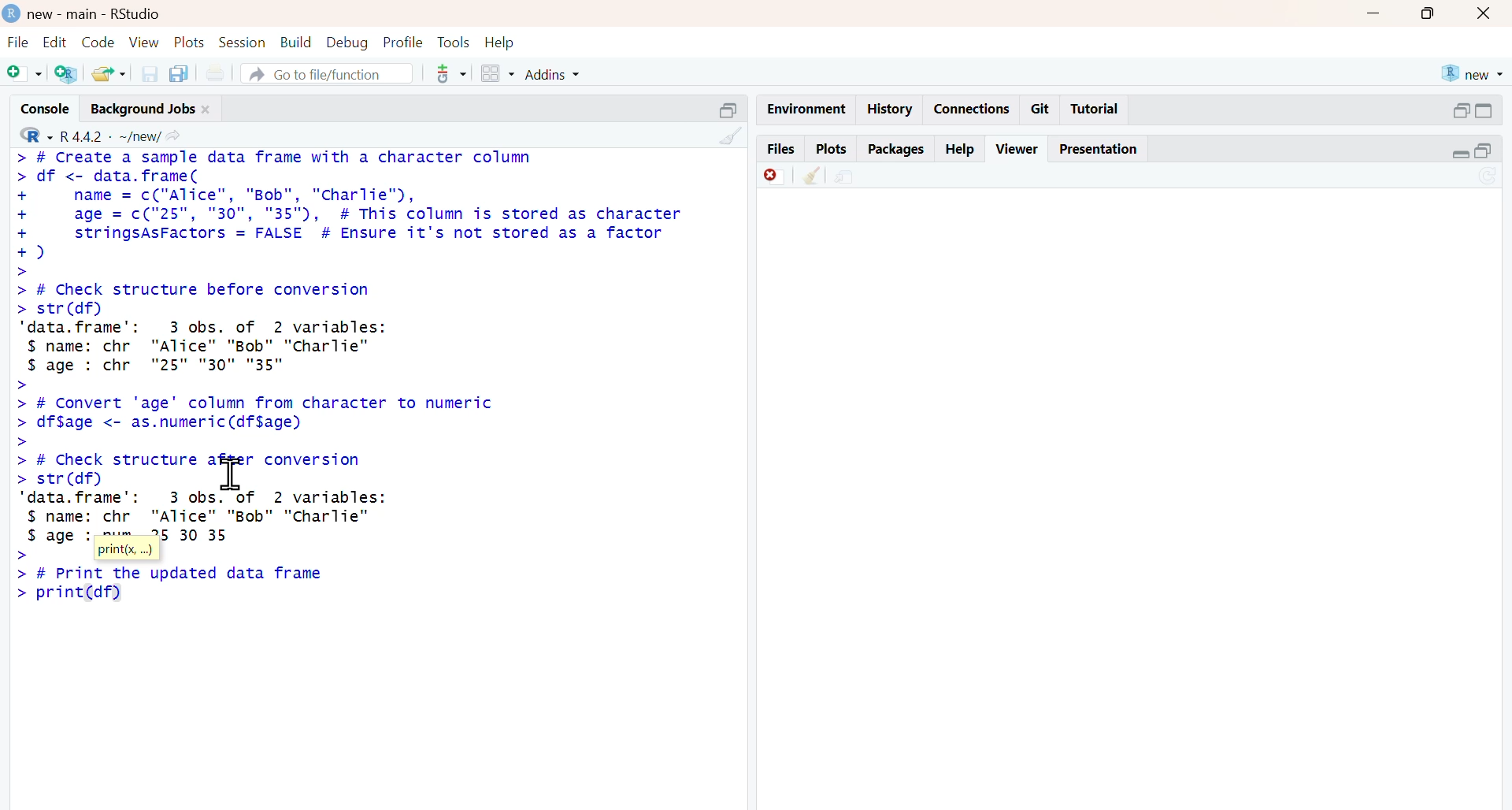 This screenshot has width=1512, height=810. I want to click on Clean , so click(812, 175).